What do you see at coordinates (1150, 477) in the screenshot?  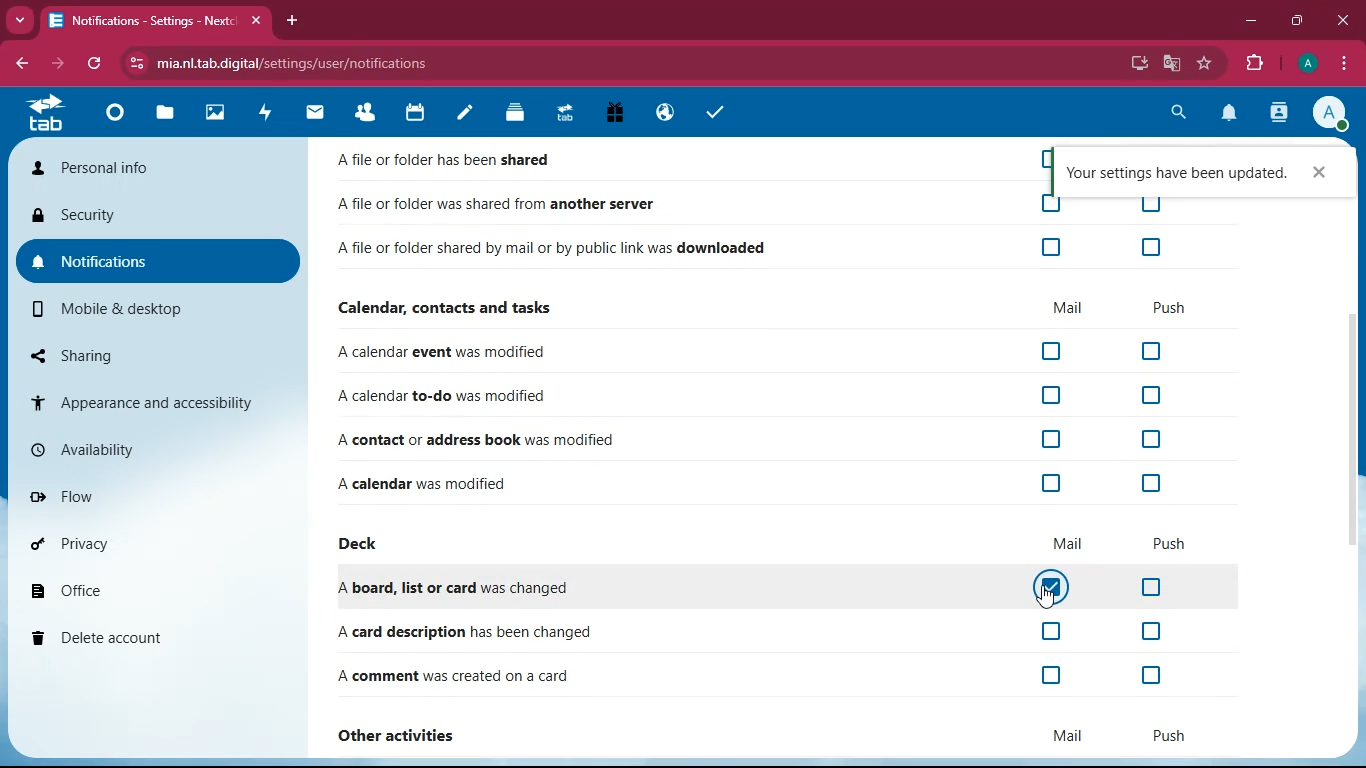 I see `off` at bounding box center [1150, 477].